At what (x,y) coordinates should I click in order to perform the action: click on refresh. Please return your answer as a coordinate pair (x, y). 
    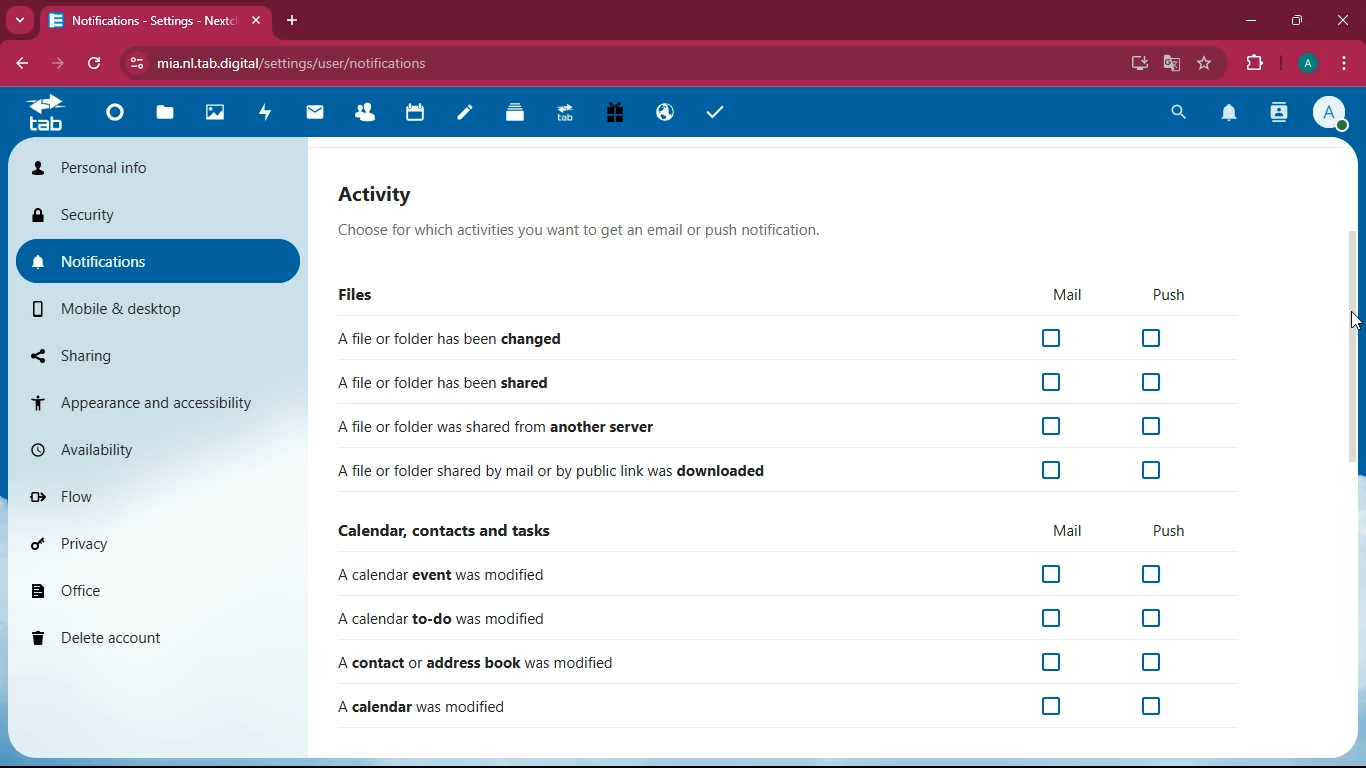
    Looking at the image, I should click on (96, 62).